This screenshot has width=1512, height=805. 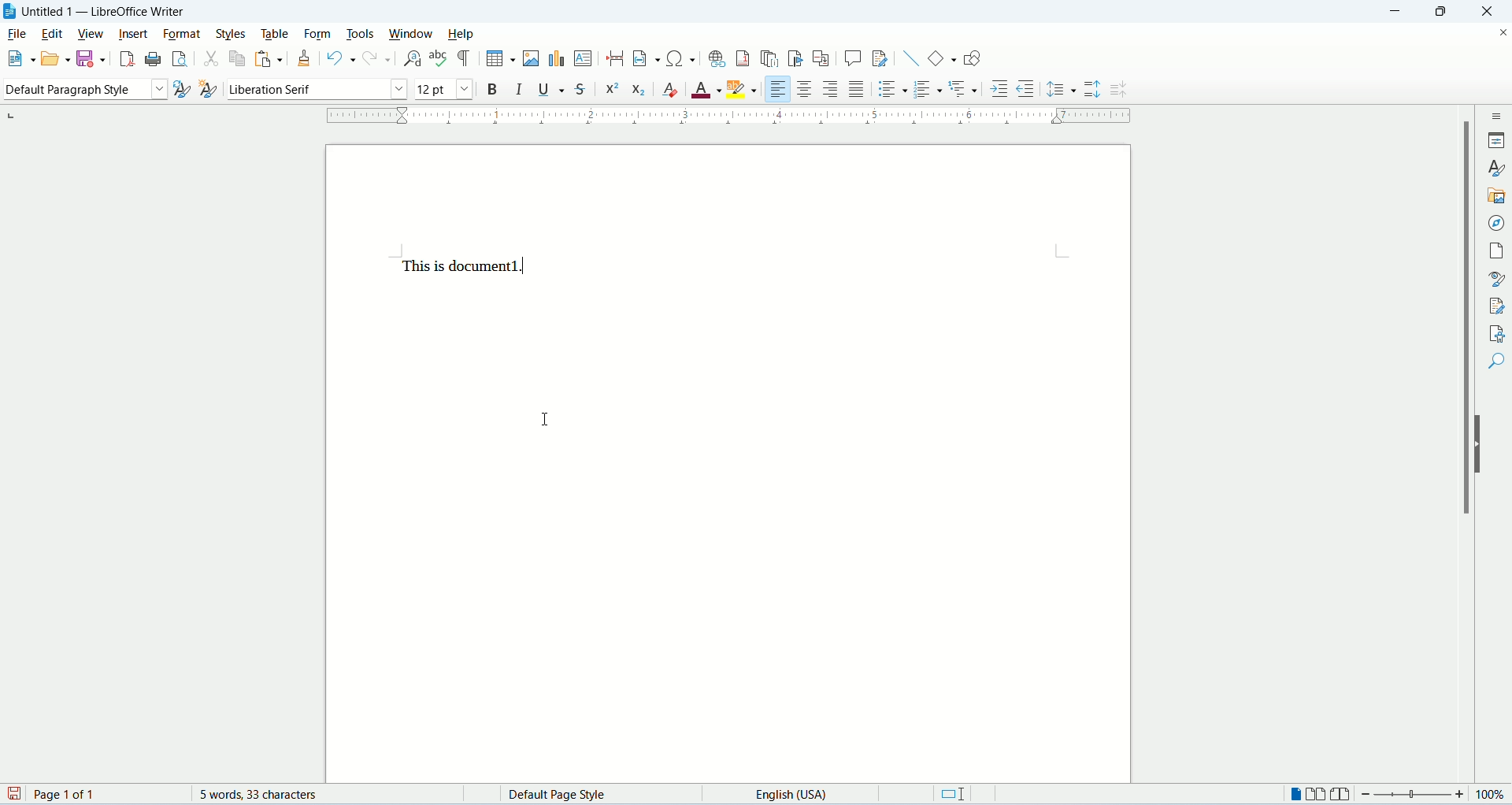 I want to click on insert special character, so click(x=683, y=58).